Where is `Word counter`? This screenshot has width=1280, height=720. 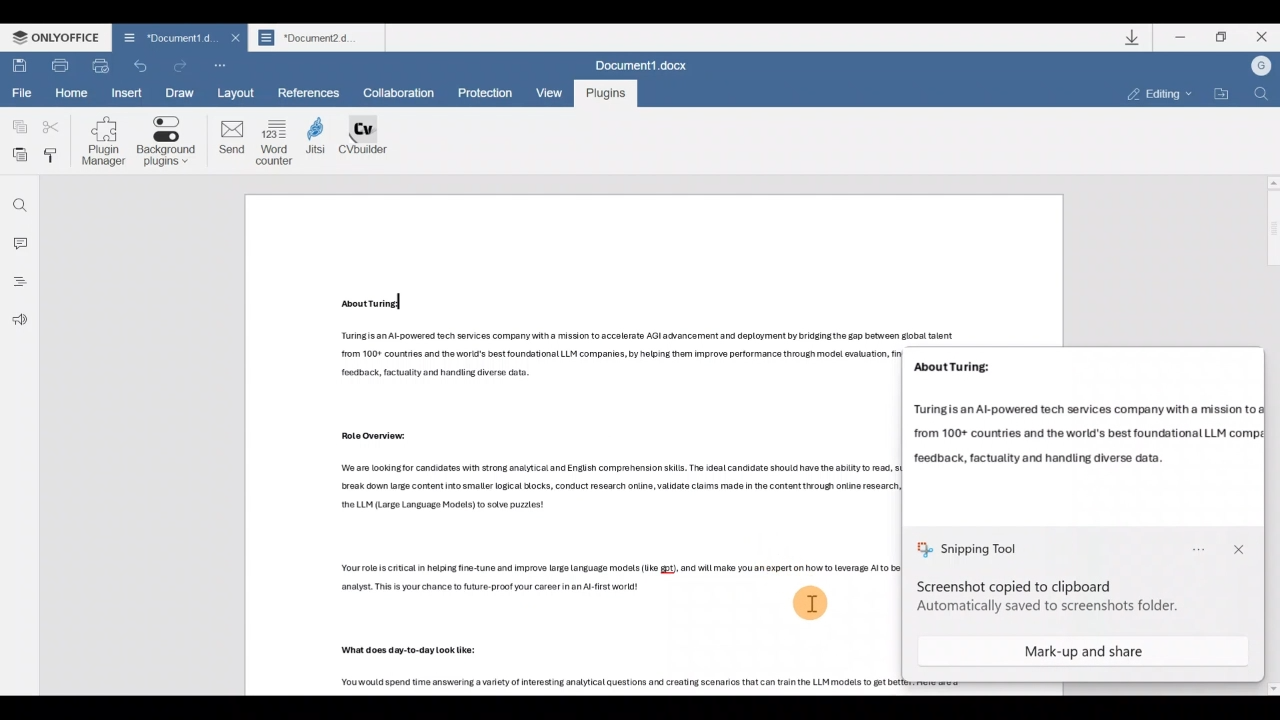
Word counter is located at coordinates (275, 141).